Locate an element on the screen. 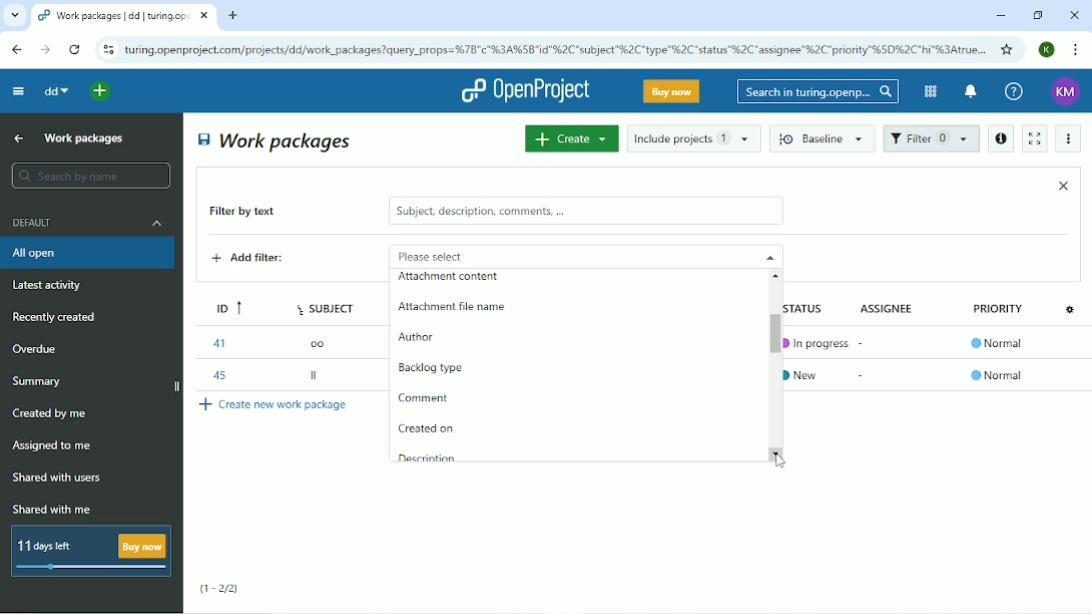 The width and height of the screenshot is (1092, 614). - is located at coordinates (864, 340).